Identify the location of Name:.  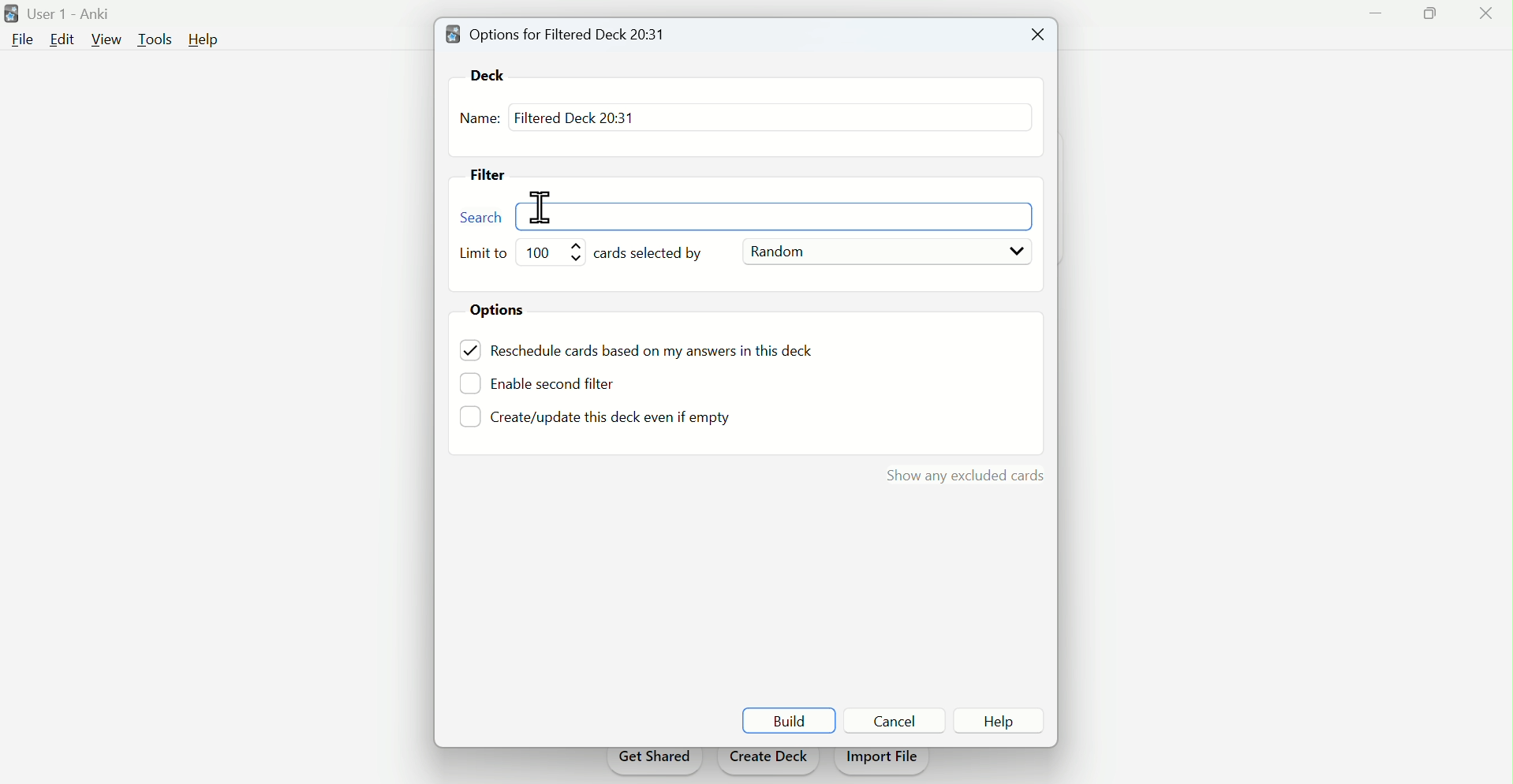
(480, 120).